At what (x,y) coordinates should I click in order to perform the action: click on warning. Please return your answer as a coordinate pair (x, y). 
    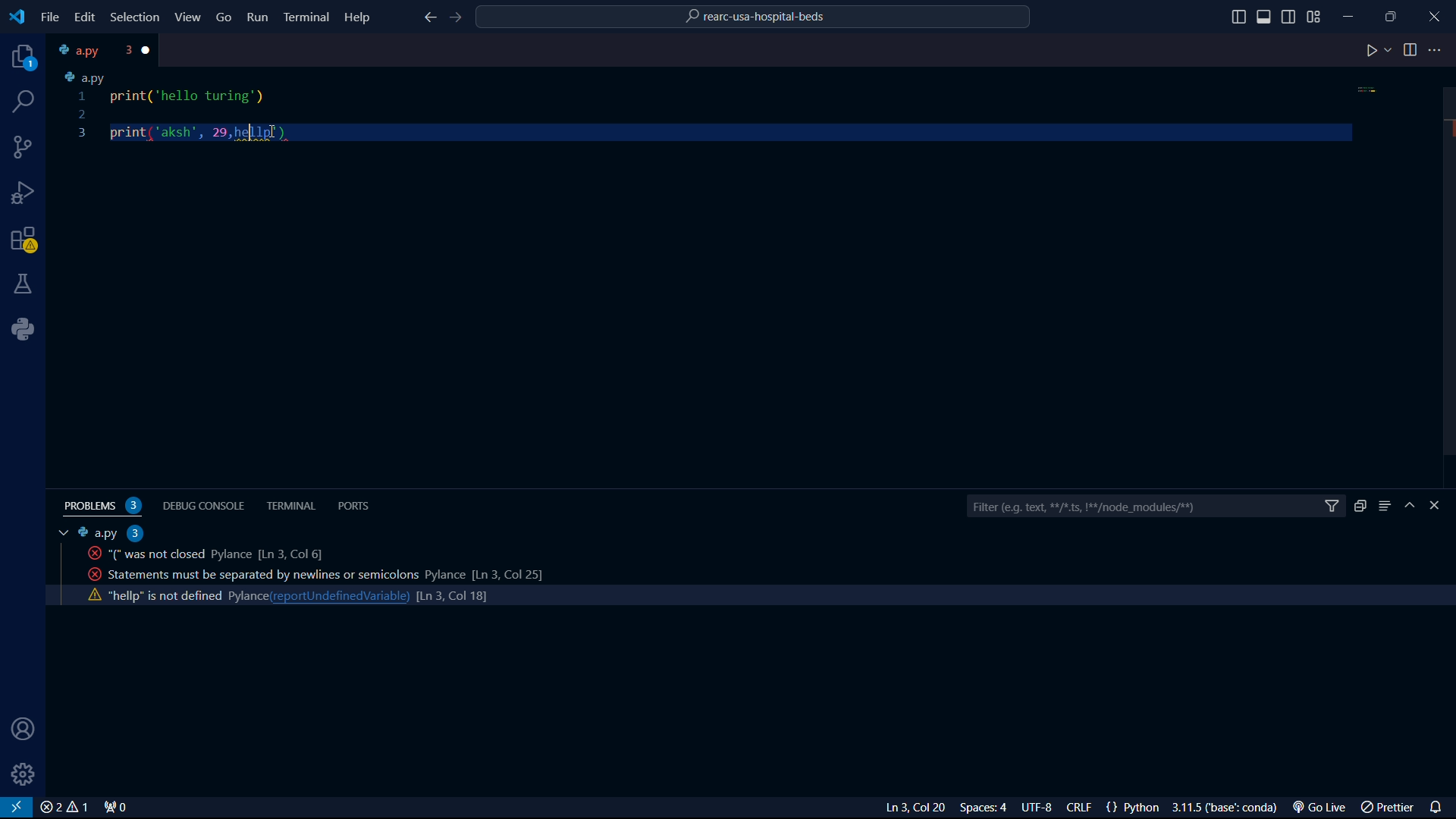
    Looking at the image, I should click on (24, 242).